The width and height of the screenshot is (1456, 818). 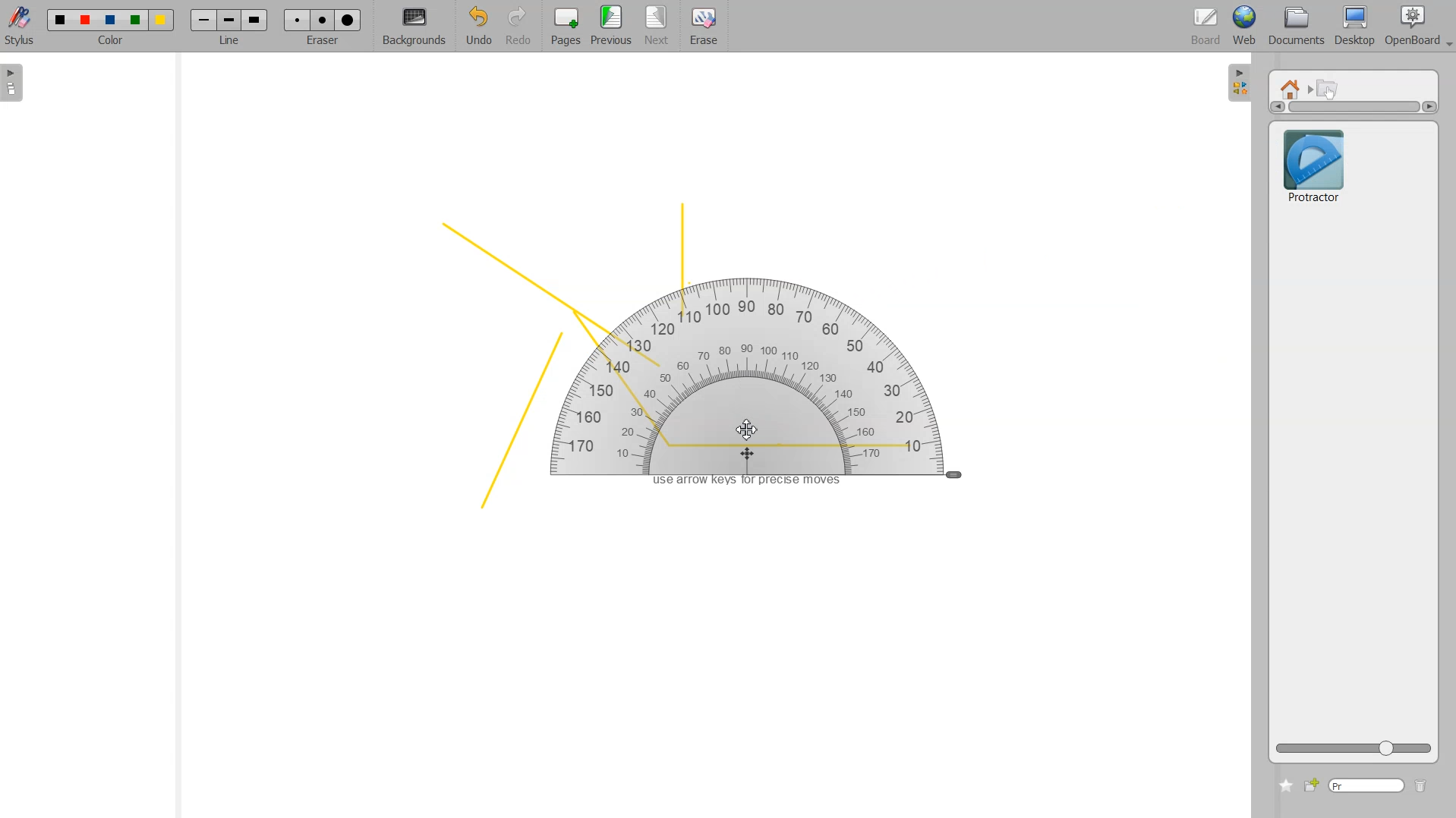 I want to click on Stylus, so click(x=21, y=25).